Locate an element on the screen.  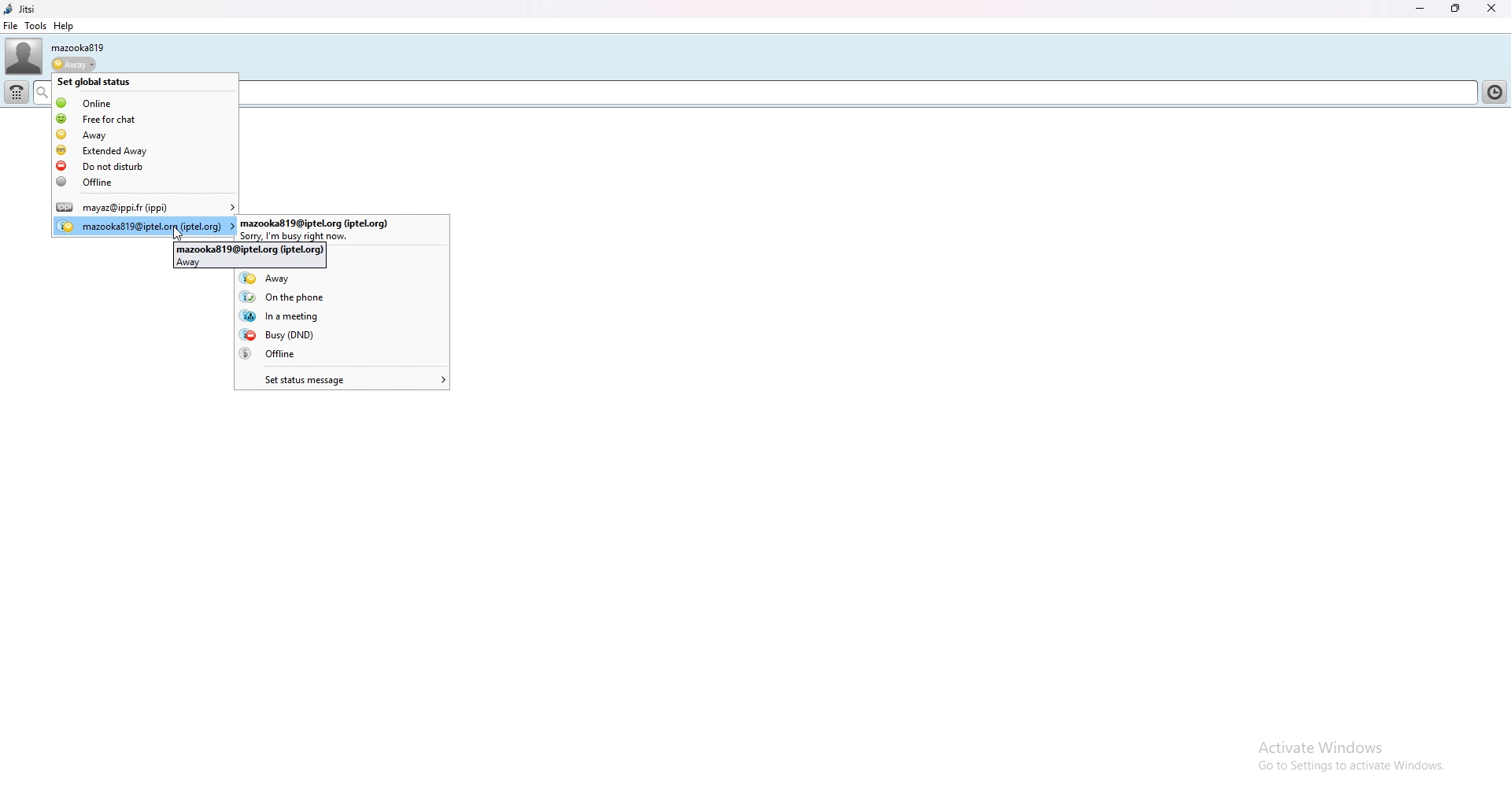
user account is located at coordinates (145, 208).